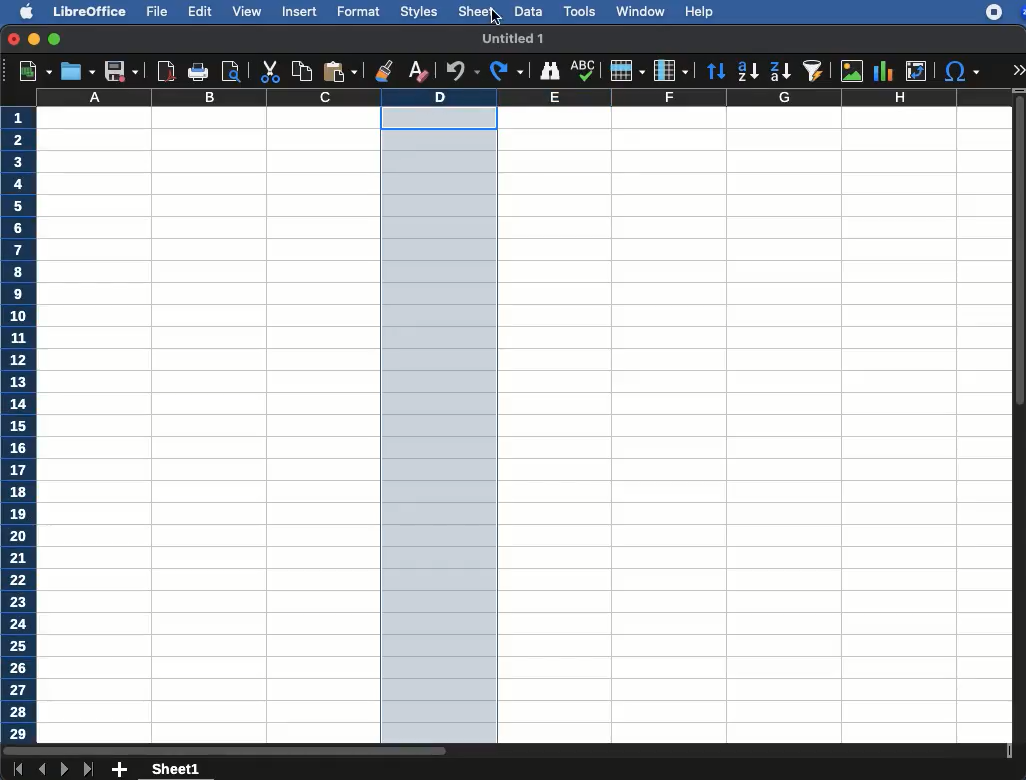  Describe the element at coordinates (916, 71) in the screenshot. I see `pivot table` at that location.